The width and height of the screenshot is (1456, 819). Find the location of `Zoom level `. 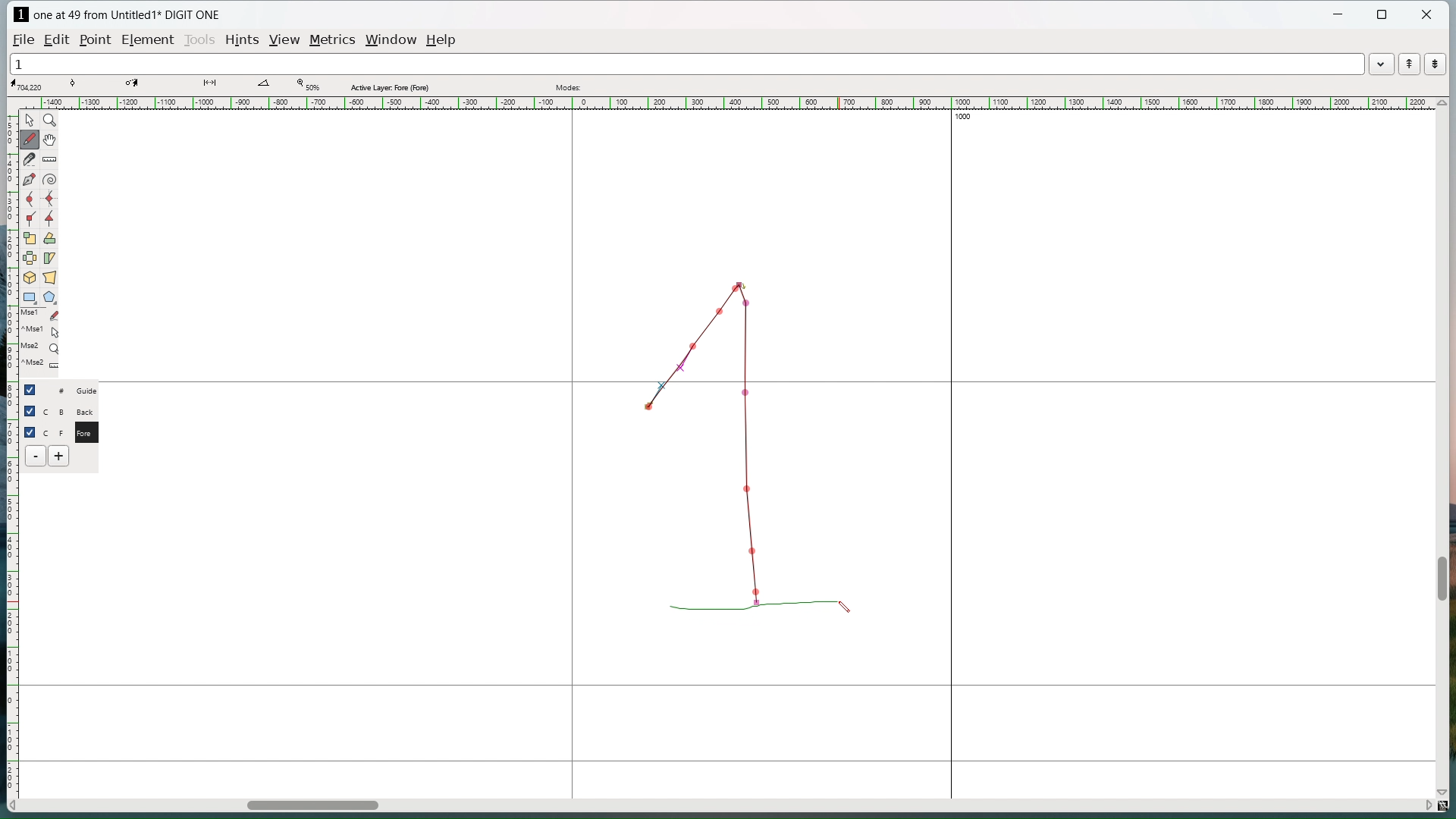

Zoom level  is located at coordinates (307, 86).